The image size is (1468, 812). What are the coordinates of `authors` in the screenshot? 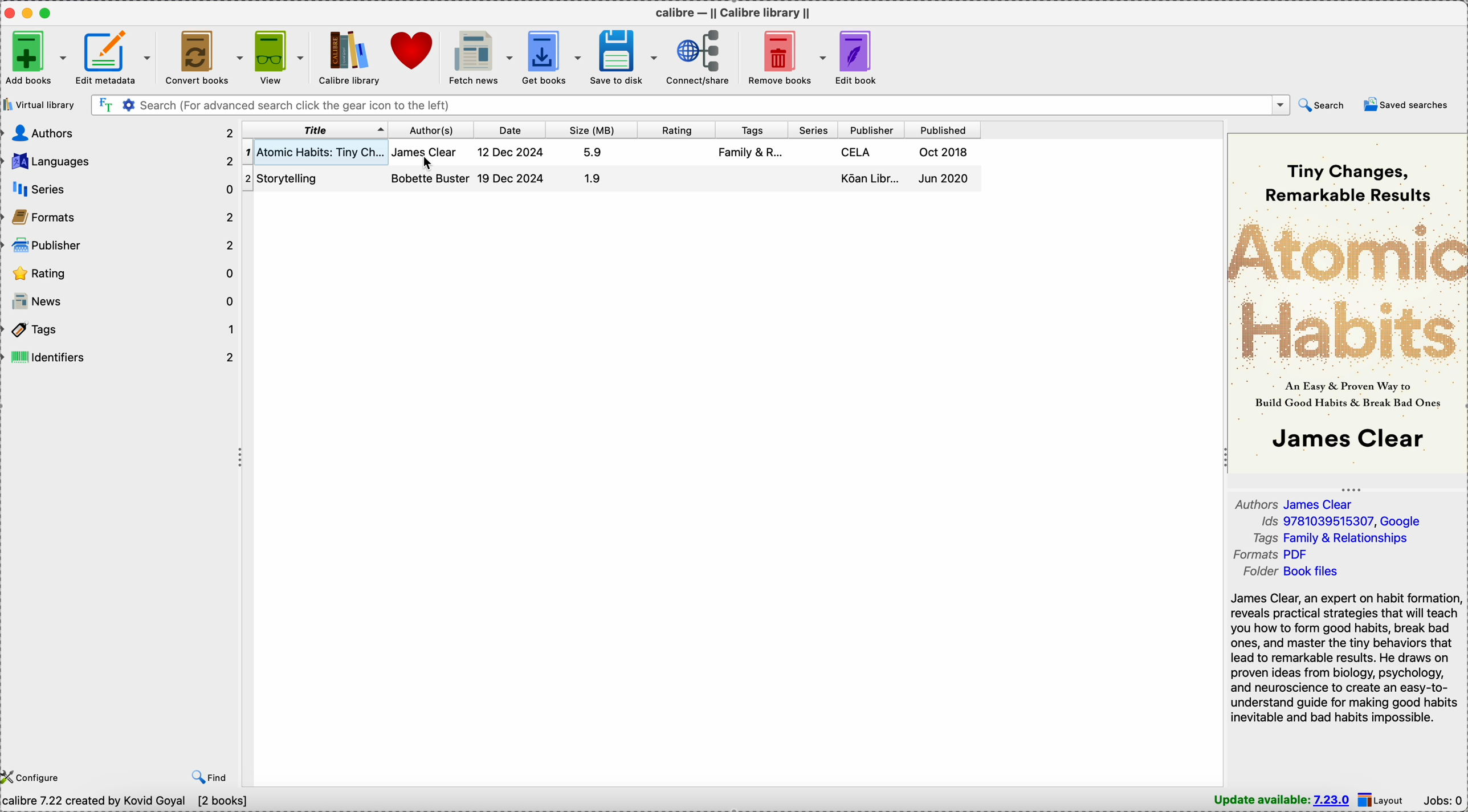 It's located at (119, 132).